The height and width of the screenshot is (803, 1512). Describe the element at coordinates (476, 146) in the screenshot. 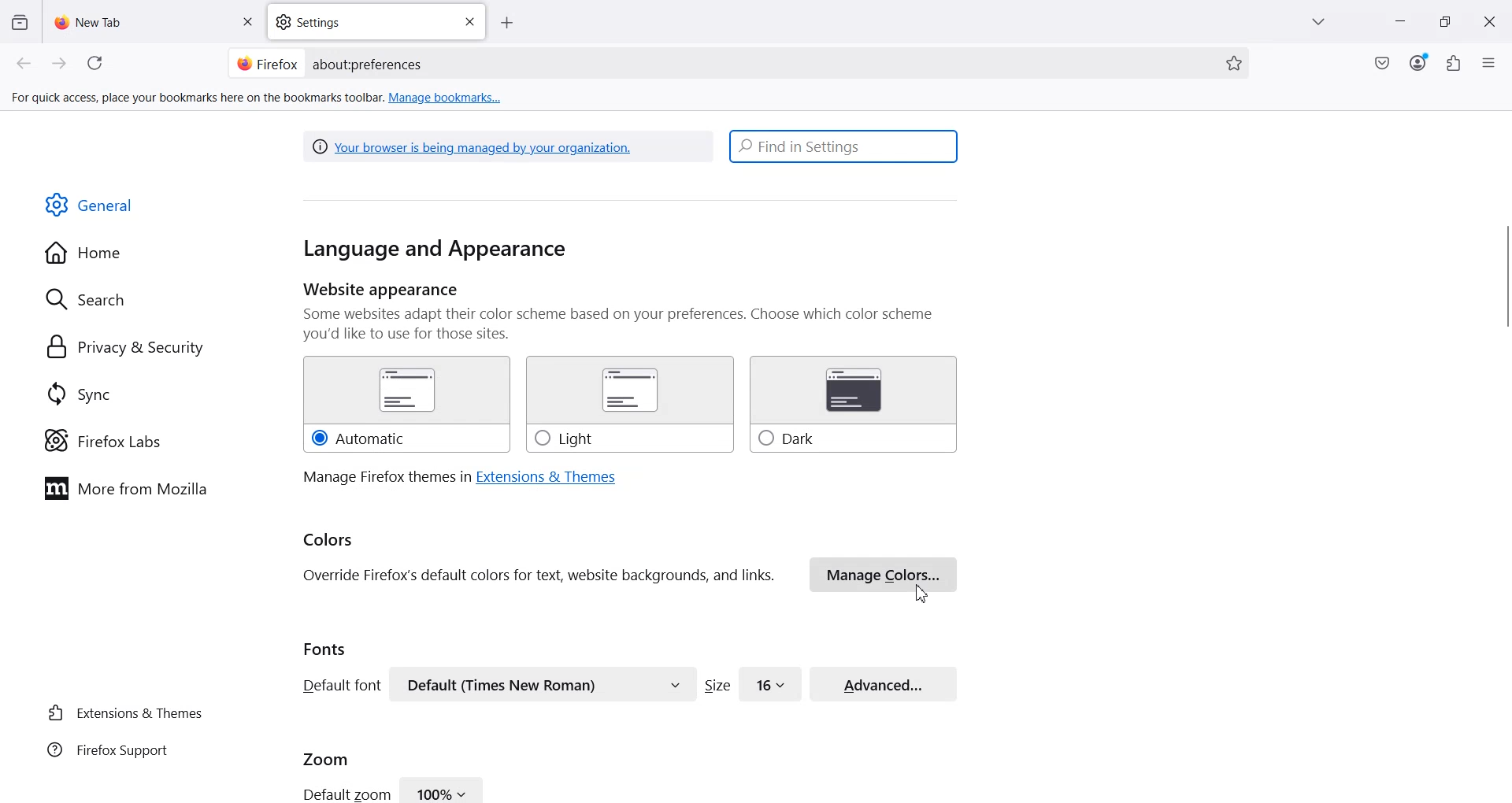

I see `@ Your browser is being managed by your organization.` at that location.